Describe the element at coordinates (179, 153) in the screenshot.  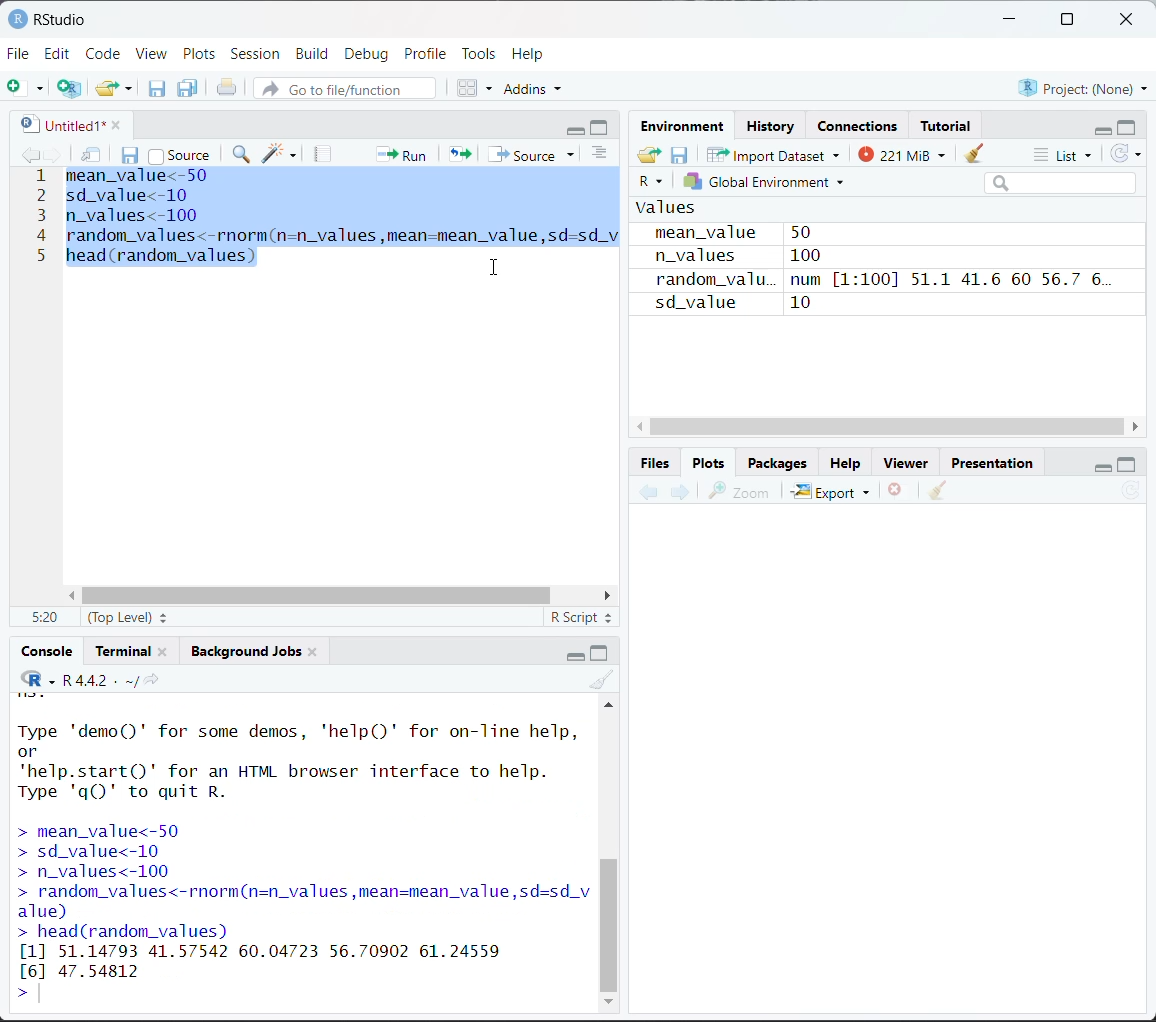
I see `source` at that location.